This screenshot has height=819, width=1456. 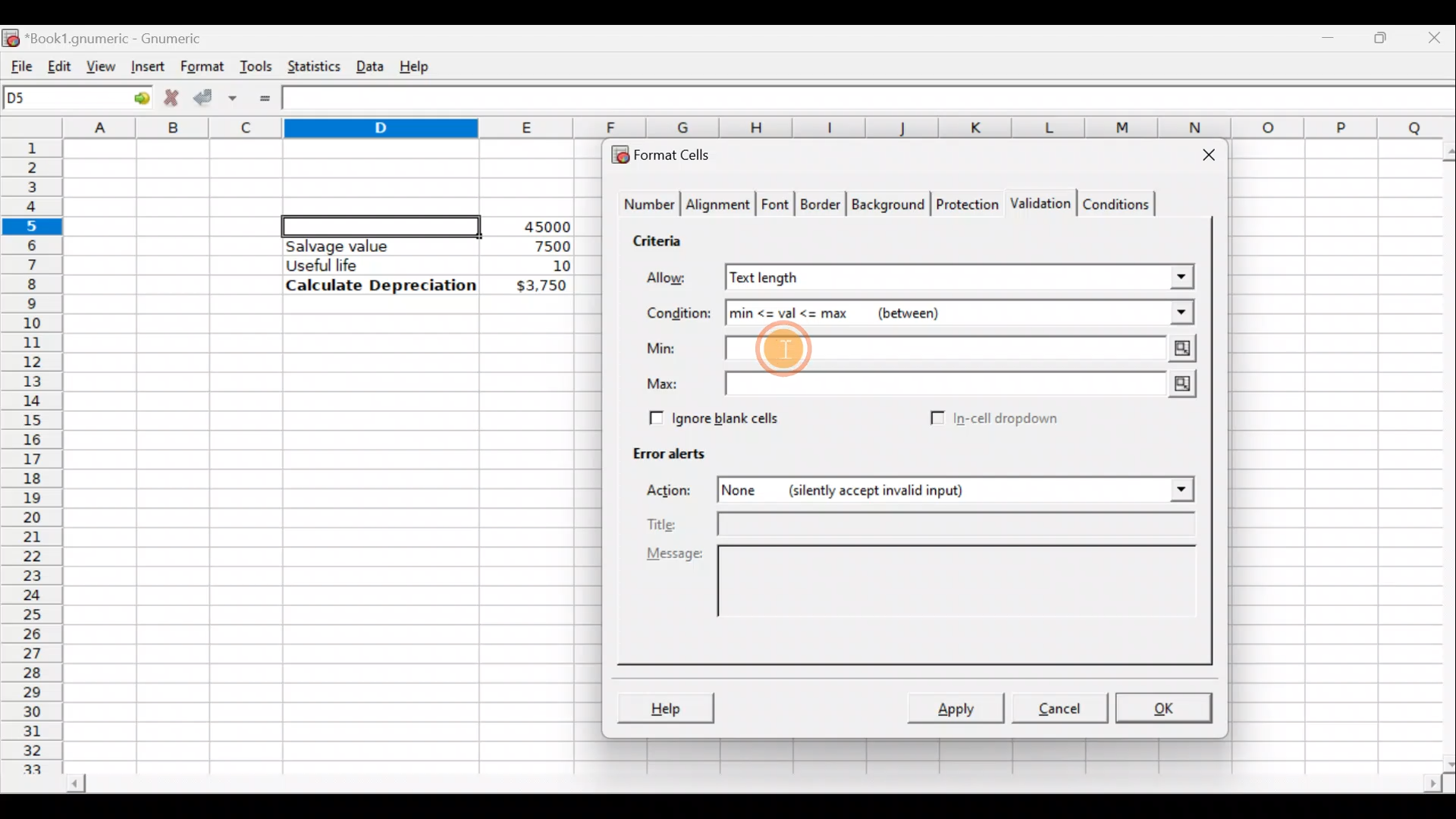 I want to click on Ignore blank cells, so click(x=711, y=416).